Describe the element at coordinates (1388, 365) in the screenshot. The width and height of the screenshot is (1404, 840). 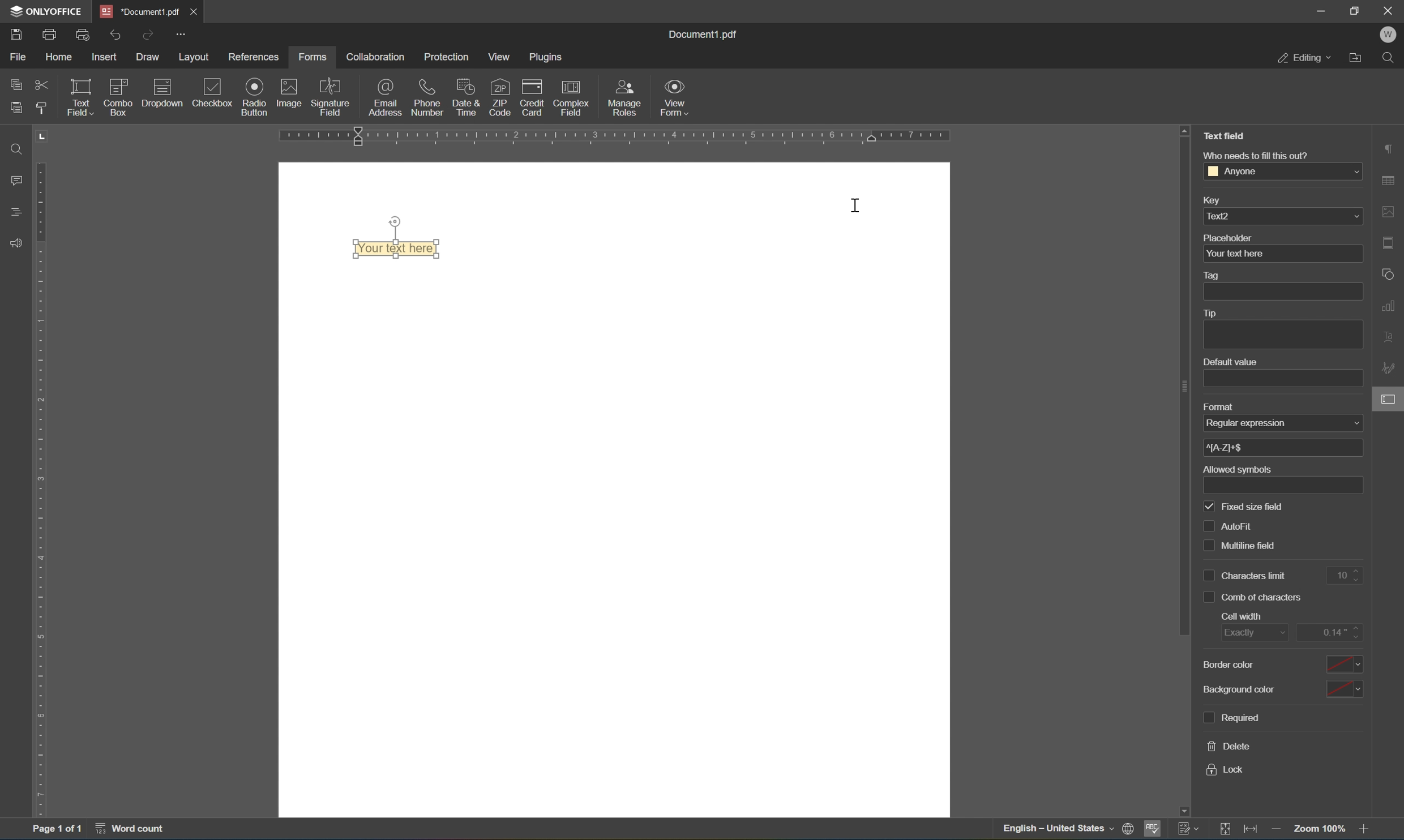
I see `signature settings` at that location.